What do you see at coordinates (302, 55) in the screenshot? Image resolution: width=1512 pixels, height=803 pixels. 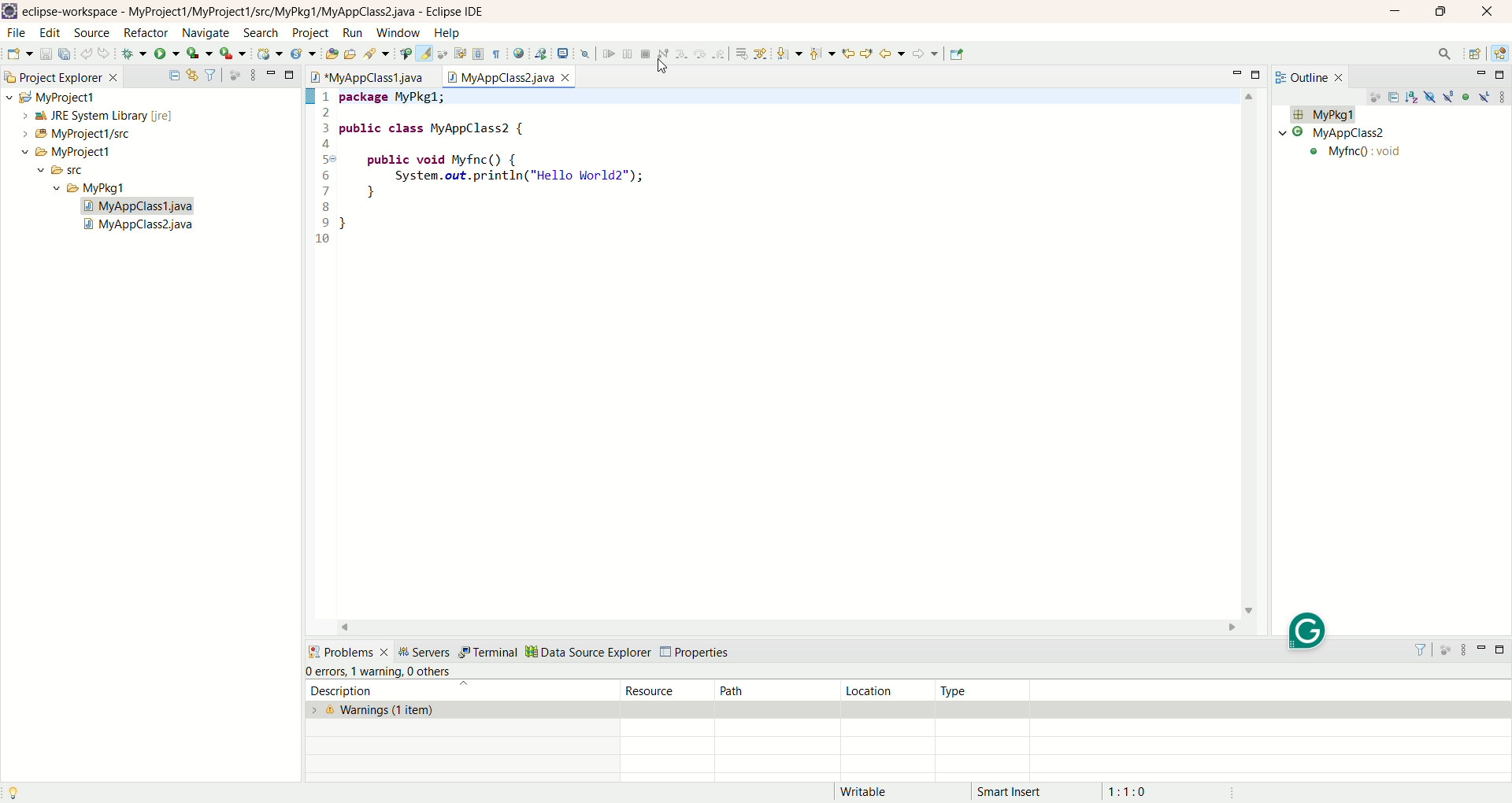 I see `create a new Java servlet` at bounding box center [302, 55].